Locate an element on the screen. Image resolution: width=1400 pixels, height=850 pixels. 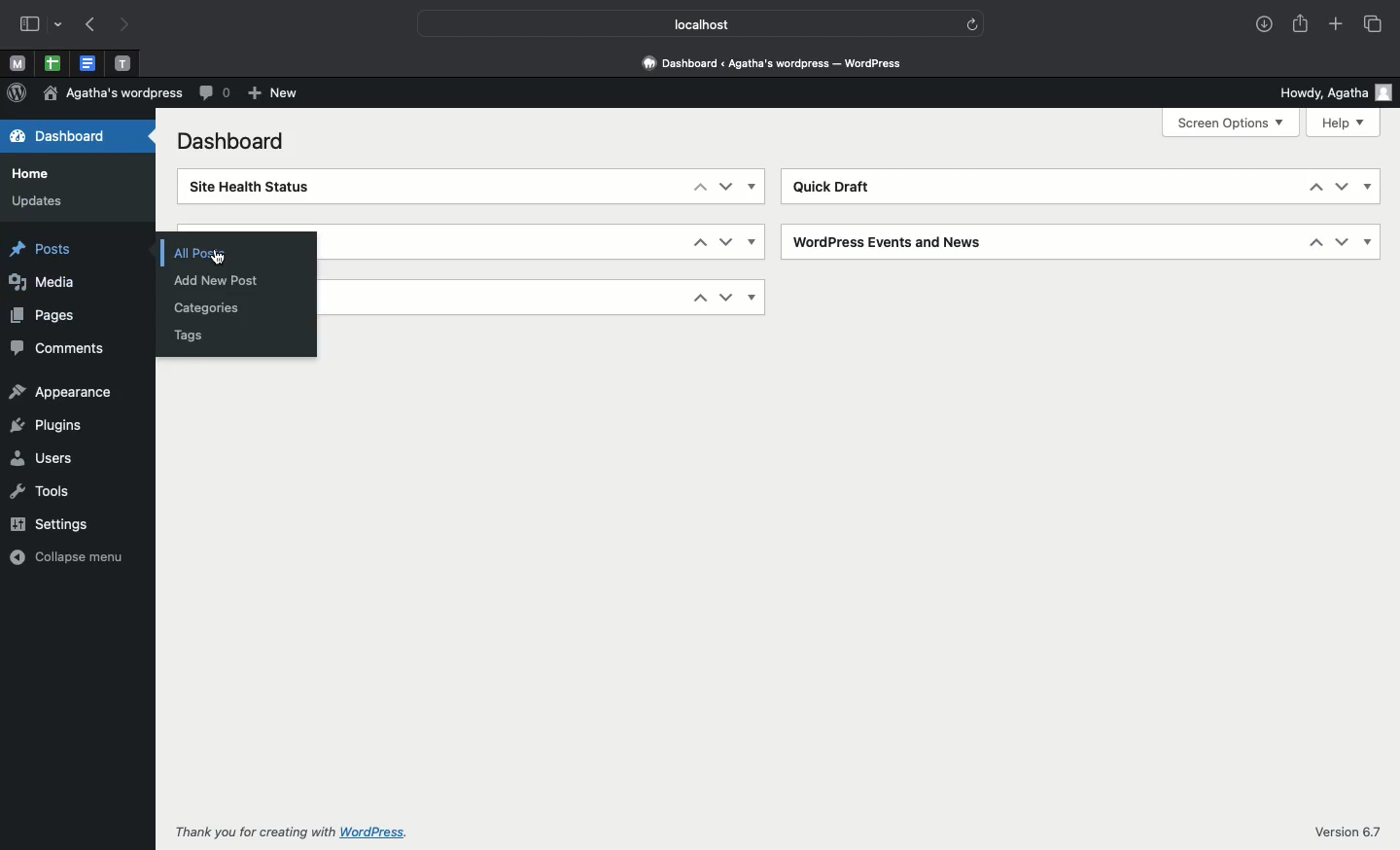
Down is located at coordinates (1342, 187).